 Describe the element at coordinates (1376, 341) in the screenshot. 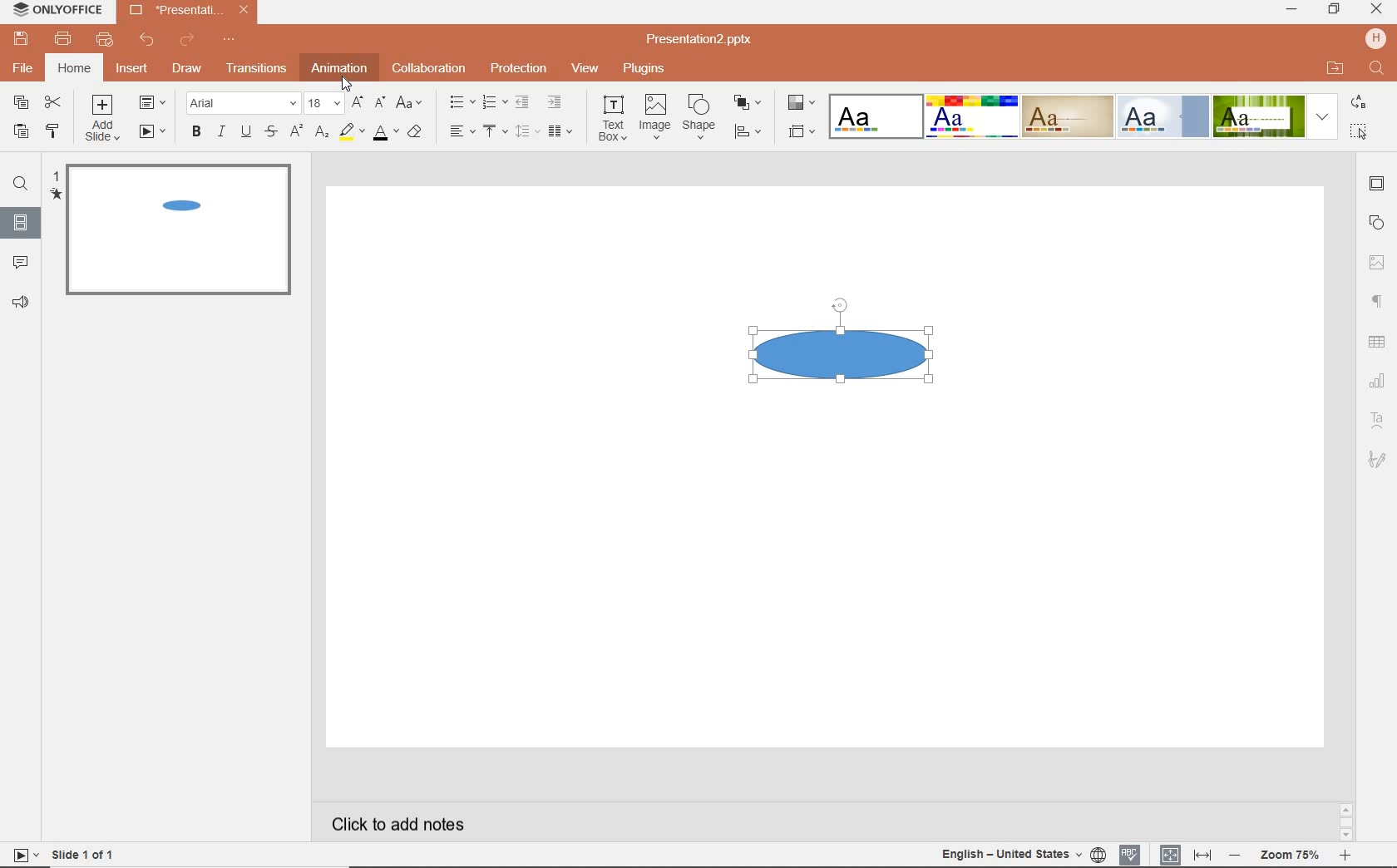

I see `table` at that location.